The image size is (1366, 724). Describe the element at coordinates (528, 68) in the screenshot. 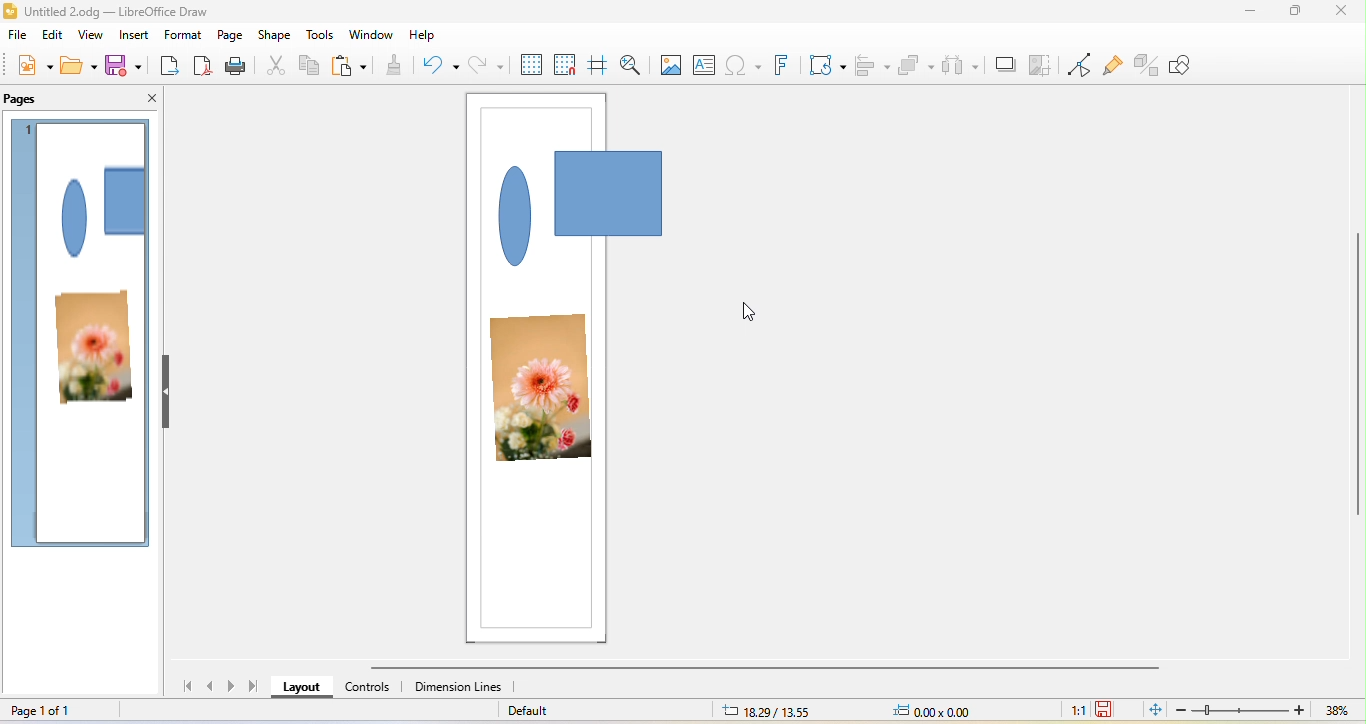

I see `display grid` at that location.